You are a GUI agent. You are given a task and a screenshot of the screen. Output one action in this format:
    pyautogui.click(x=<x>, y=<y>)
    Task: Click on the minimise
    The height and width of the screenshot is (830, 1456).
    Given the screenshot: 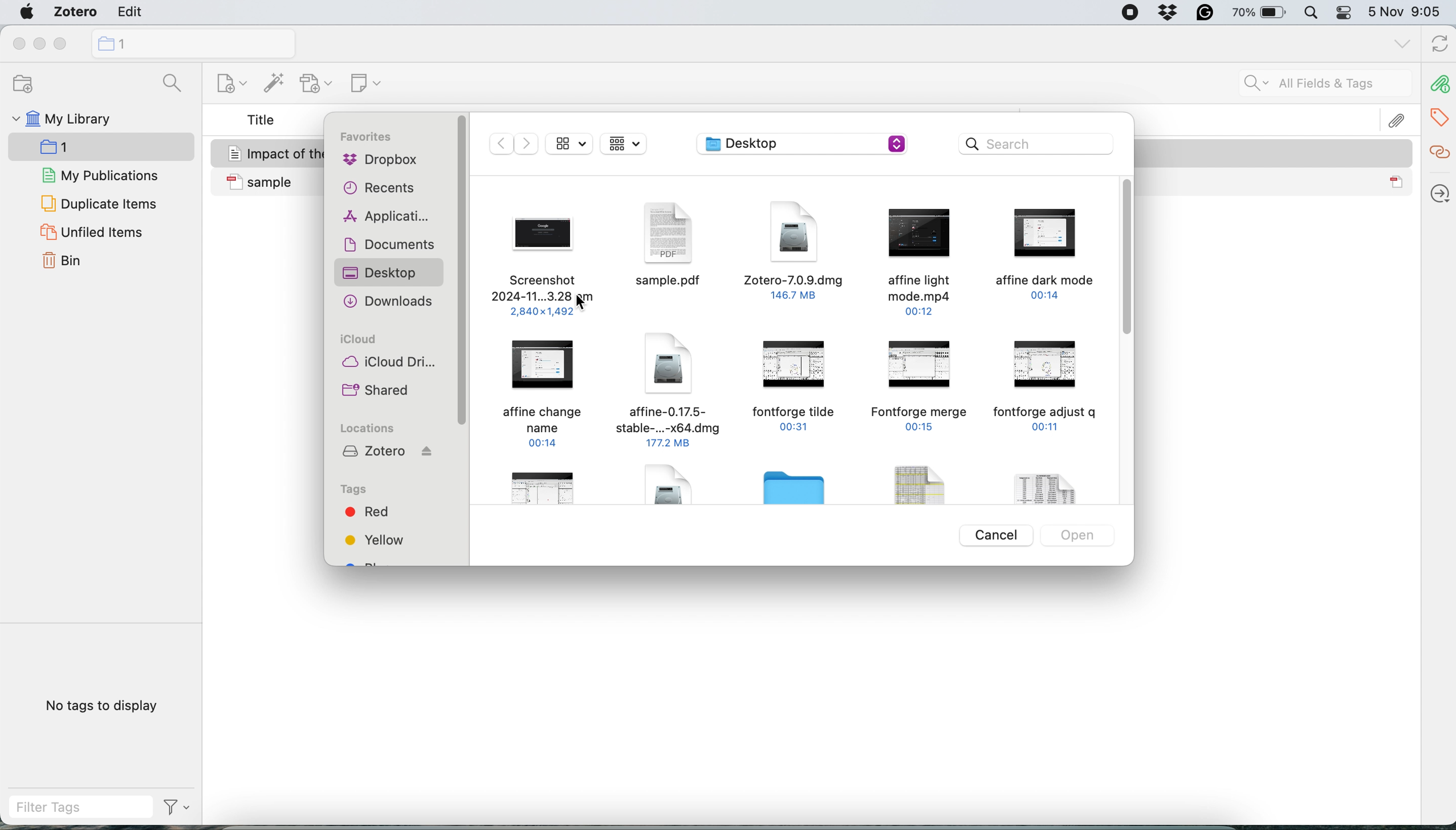 What is the action you would take?
    pyautogui.click(x=39, y=44)
    